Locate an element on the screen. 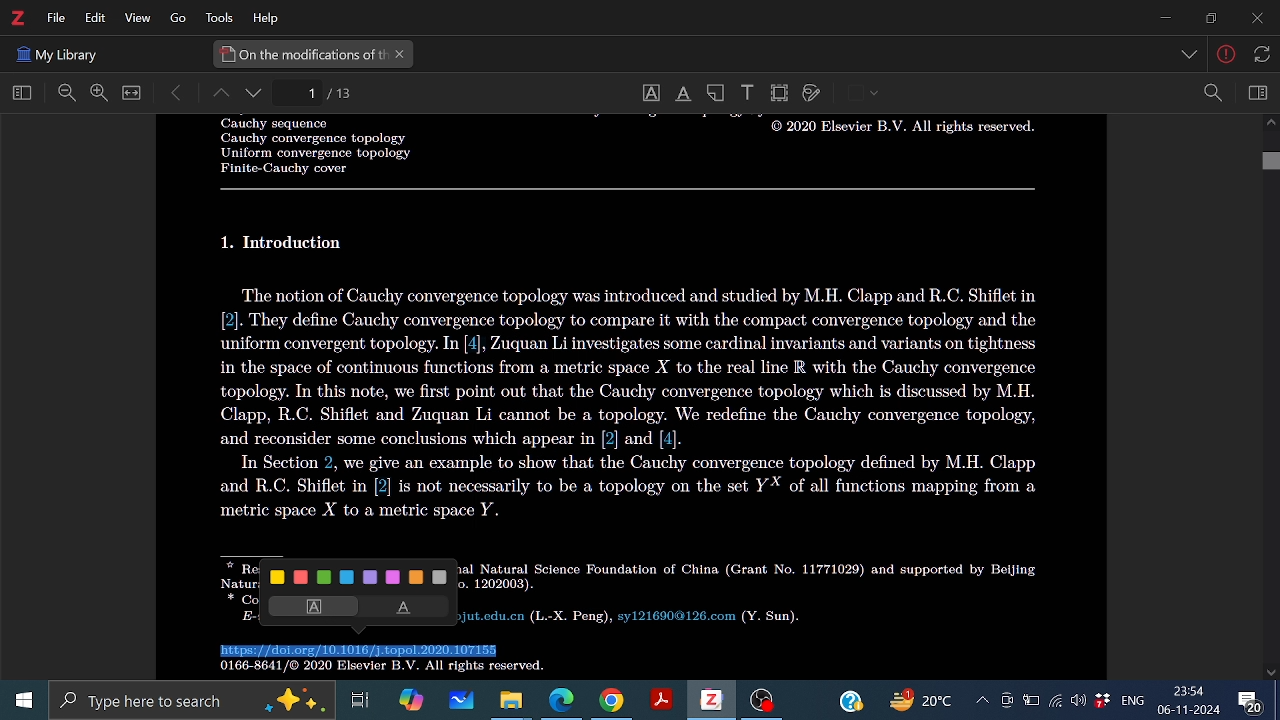  OBS studio is located at coordinates (762, 702).